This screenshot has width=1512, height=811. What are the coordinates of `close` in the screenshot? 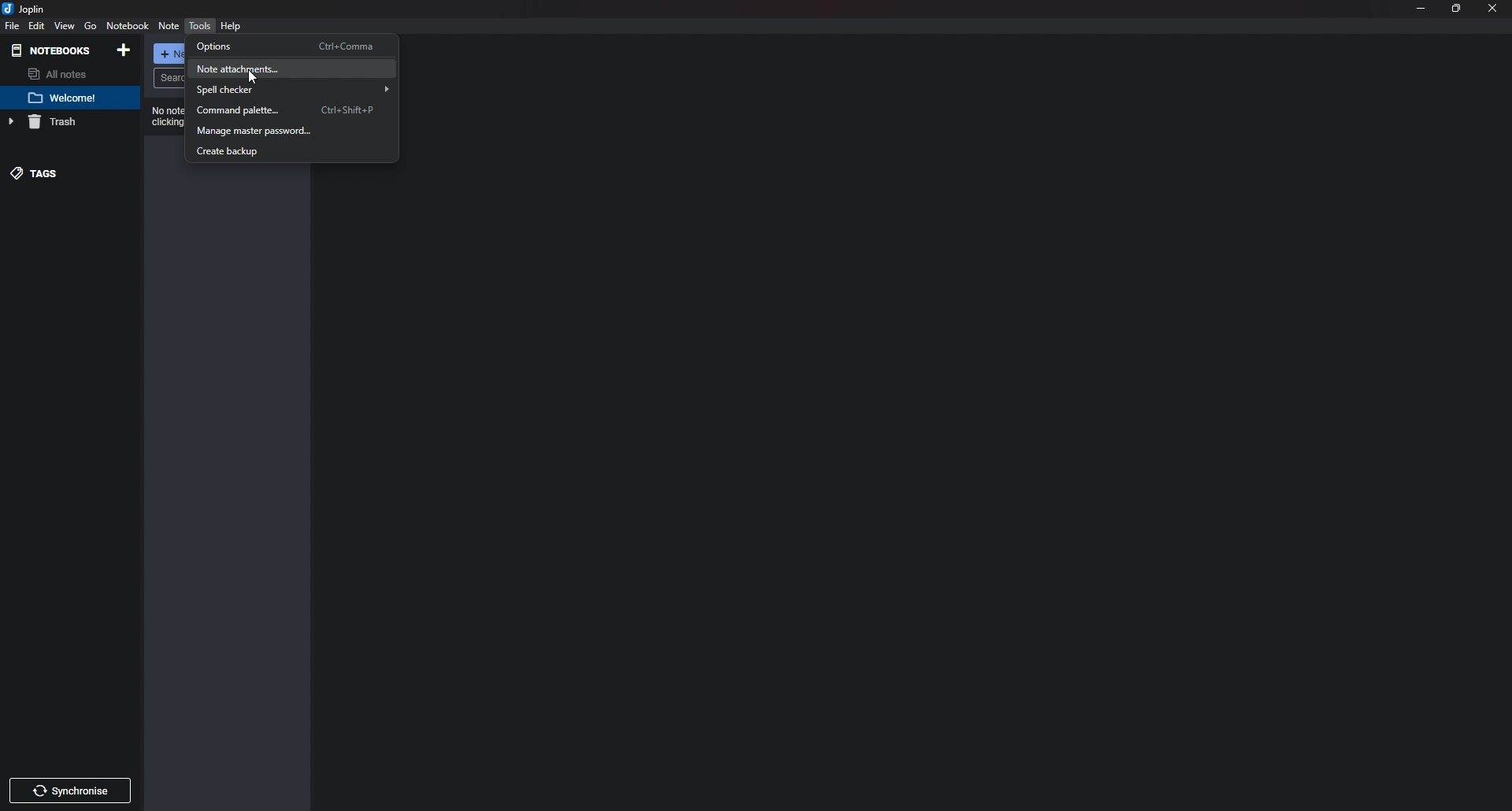 It's located at (1493, 9).